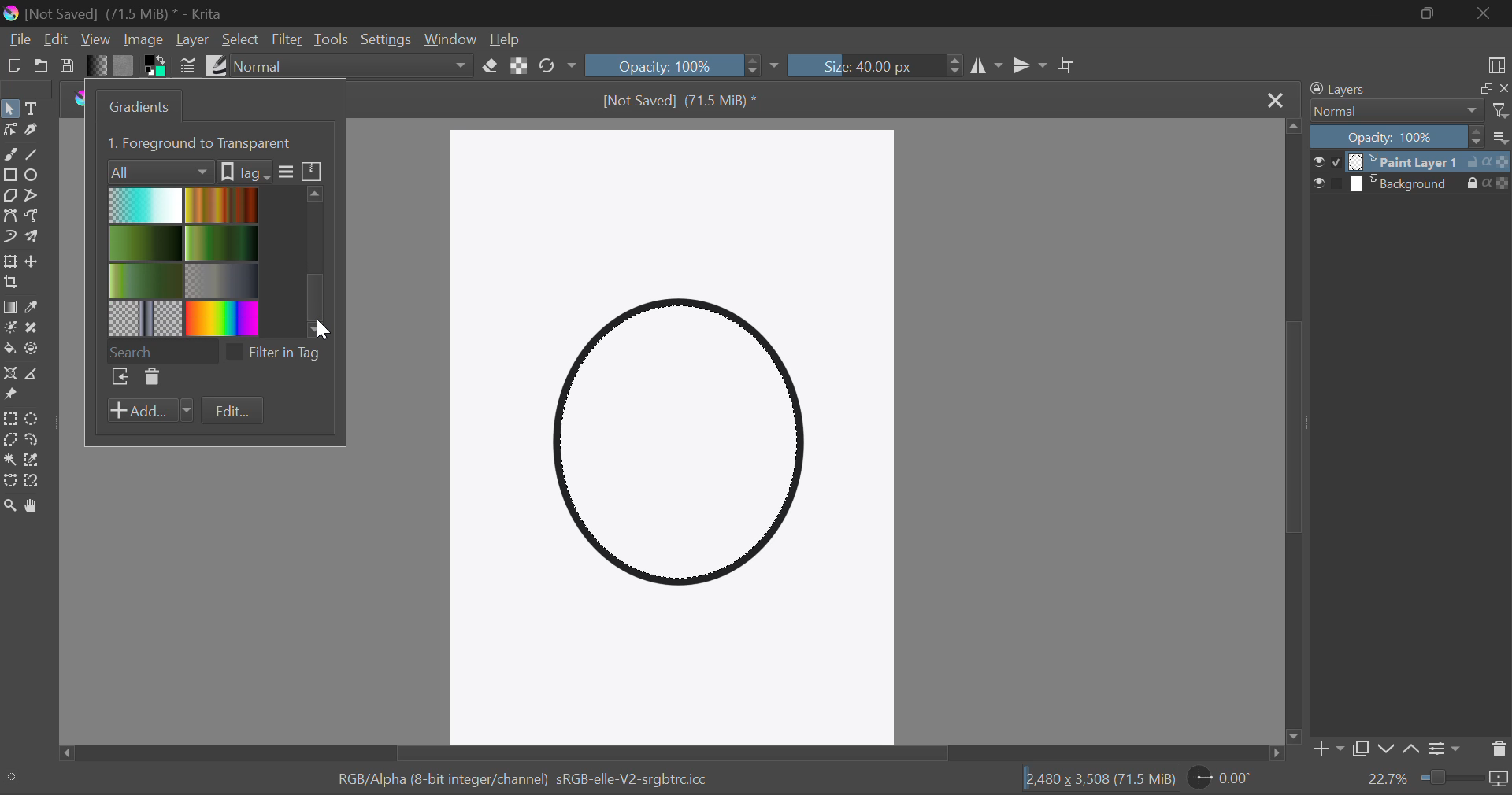  I want to click on Text, so click(35, 109).